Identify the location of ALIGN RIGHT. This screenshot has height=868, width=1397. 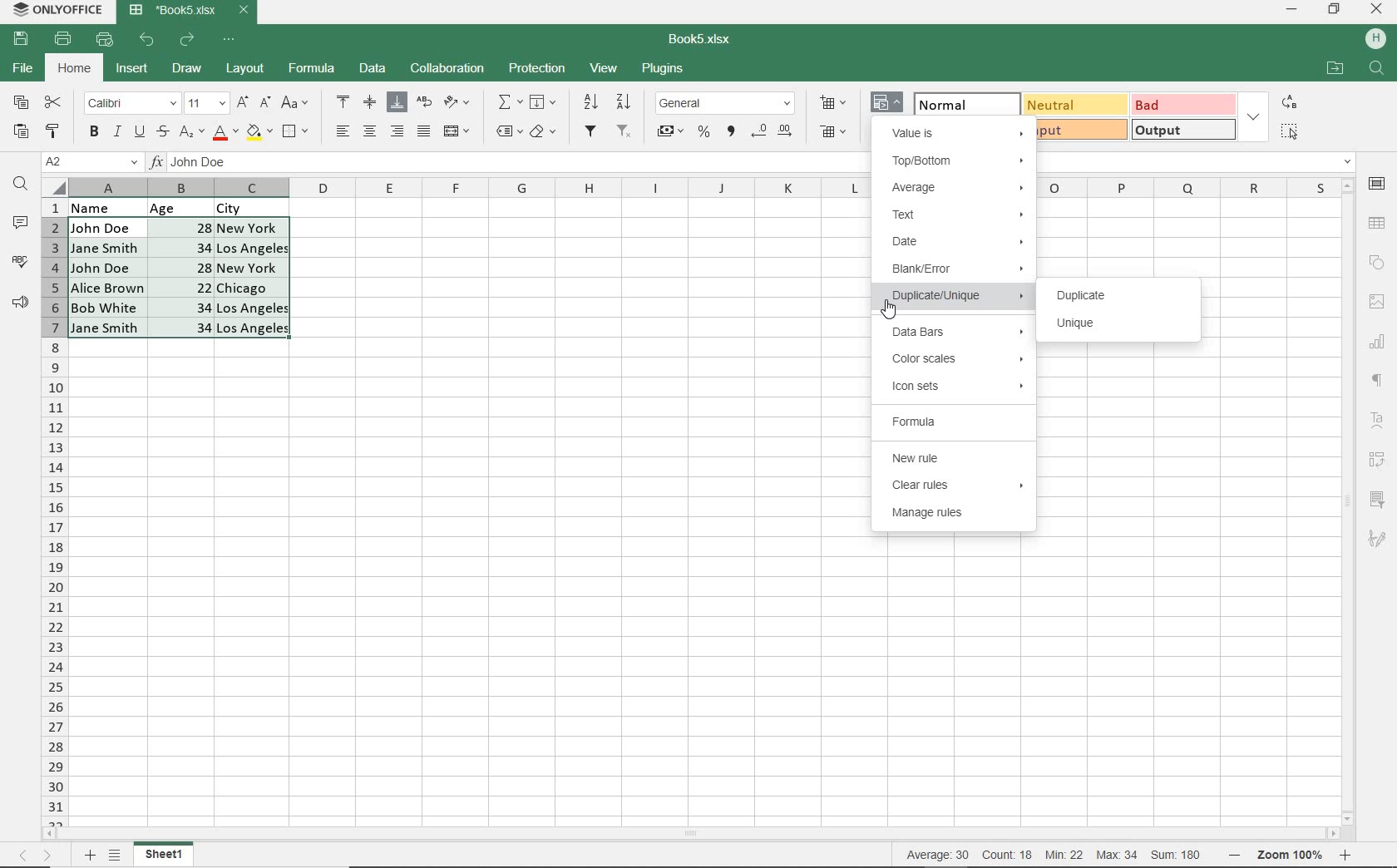
(397, 131).